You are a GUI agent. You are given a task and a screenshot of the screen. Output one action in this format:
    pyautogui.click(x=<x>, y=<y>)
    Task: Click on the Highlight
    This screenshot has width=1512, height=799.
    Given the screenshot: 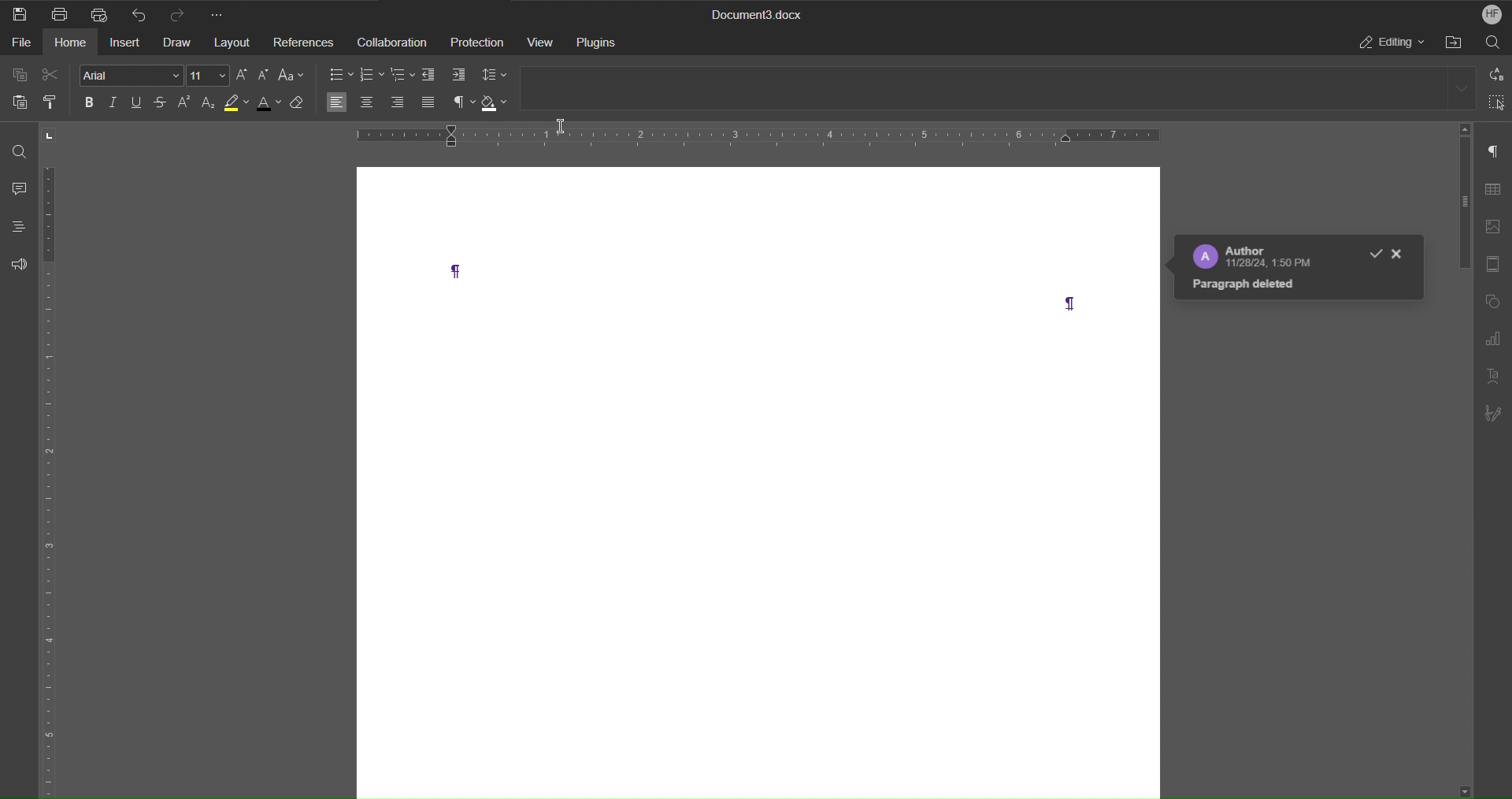 What is the action you would take?
    pyautogui.click(x=239, y=102)
    